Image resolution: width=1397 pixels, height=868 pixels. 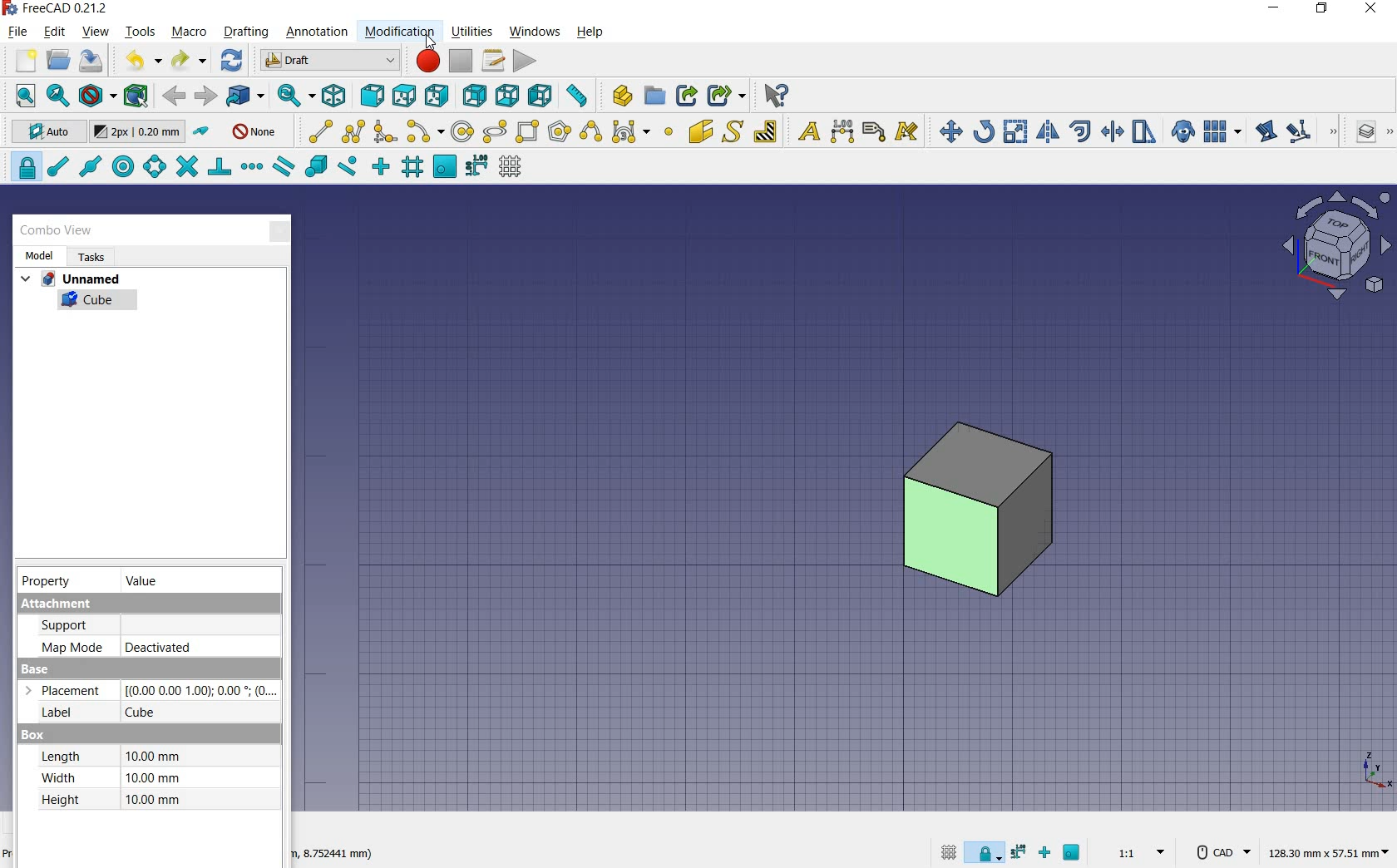 I want to click on property, so click(x=46, y=581).